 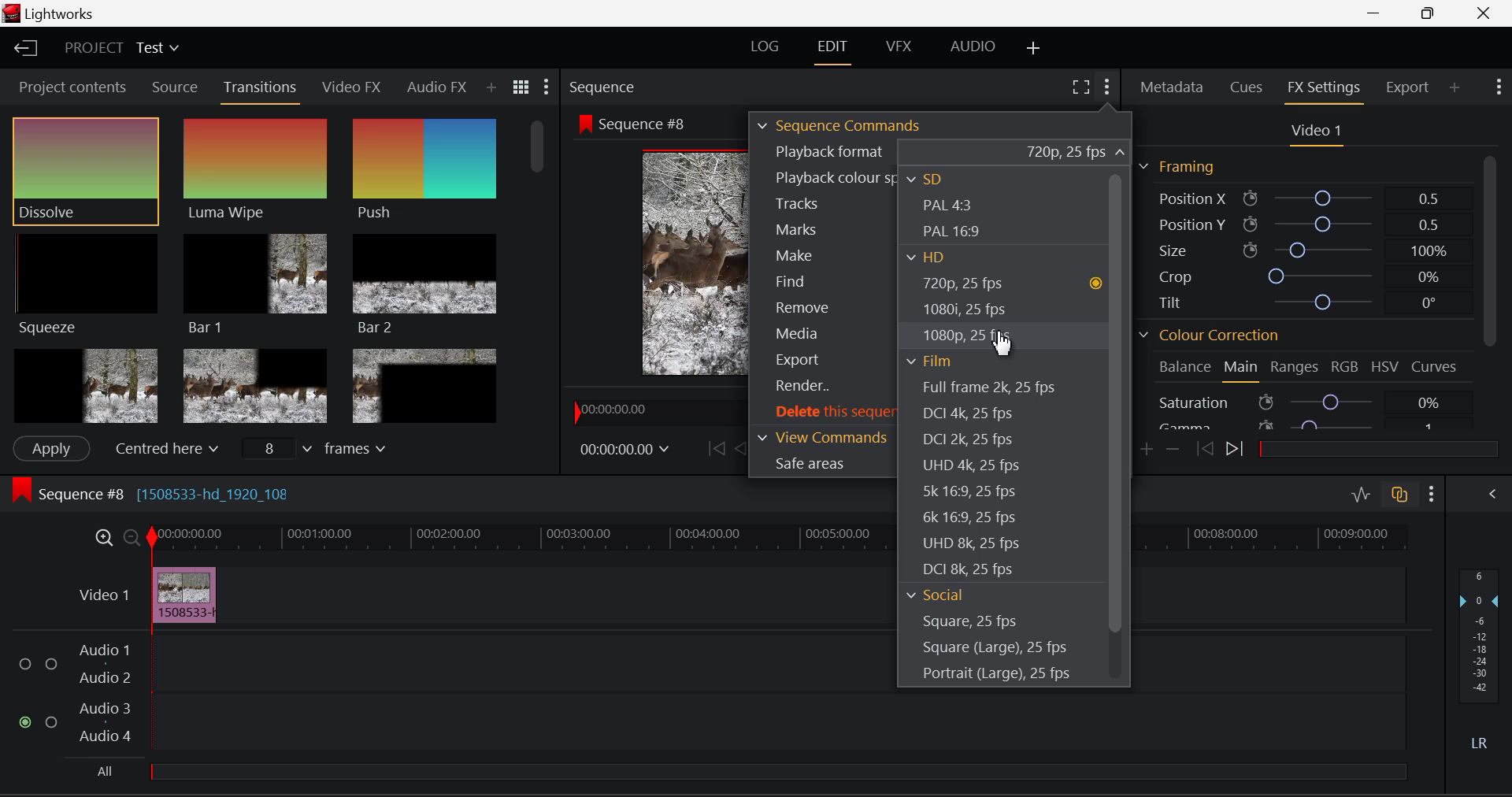 I want to click on Apply, so click(x=51, y=447).